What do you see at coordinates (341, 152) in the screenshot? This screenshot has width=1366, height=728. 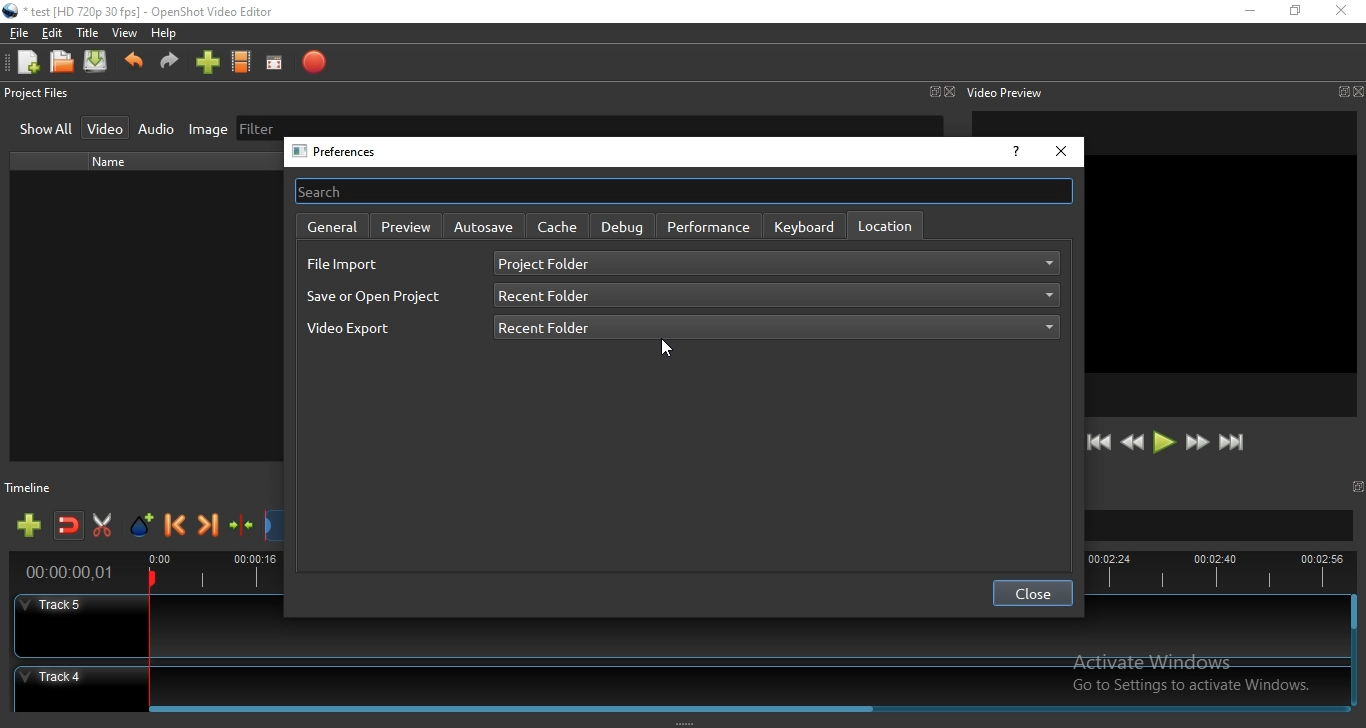 I see `preferences` at bounding box center [341, 152].